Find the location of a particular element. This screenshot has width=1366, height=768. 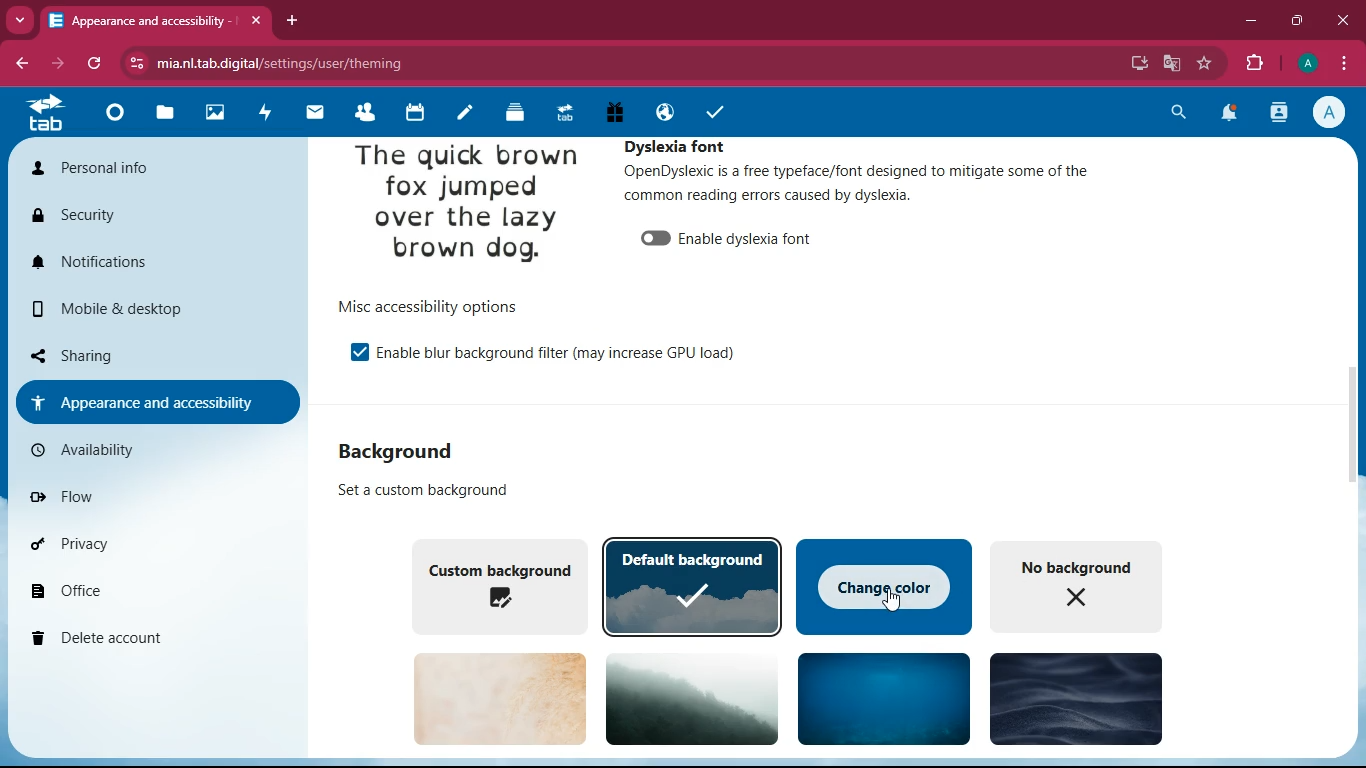

personal info is located at coordinates (128, 168).